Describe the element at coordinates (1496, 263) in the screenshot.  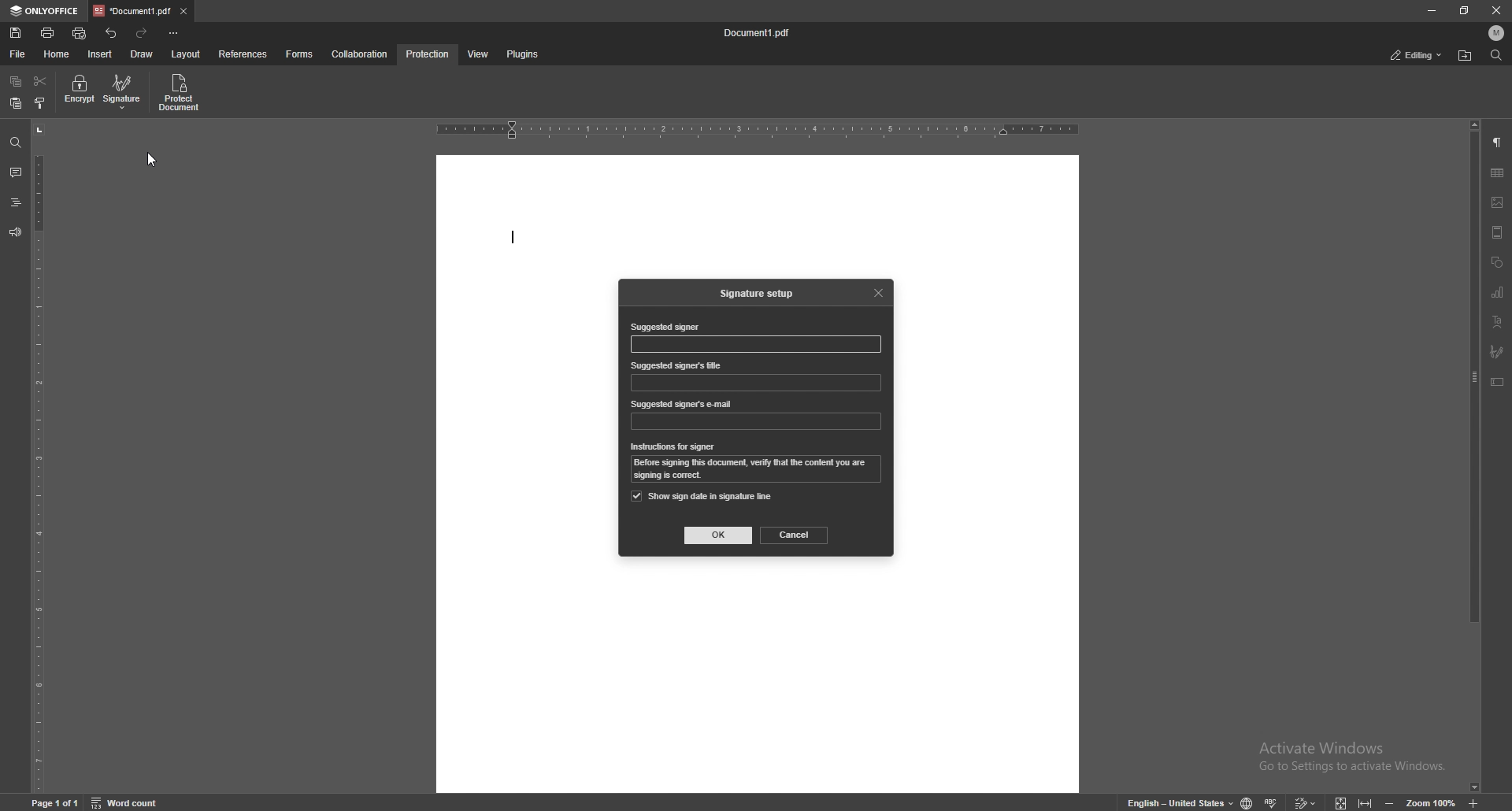
I see `shapes` at that location.